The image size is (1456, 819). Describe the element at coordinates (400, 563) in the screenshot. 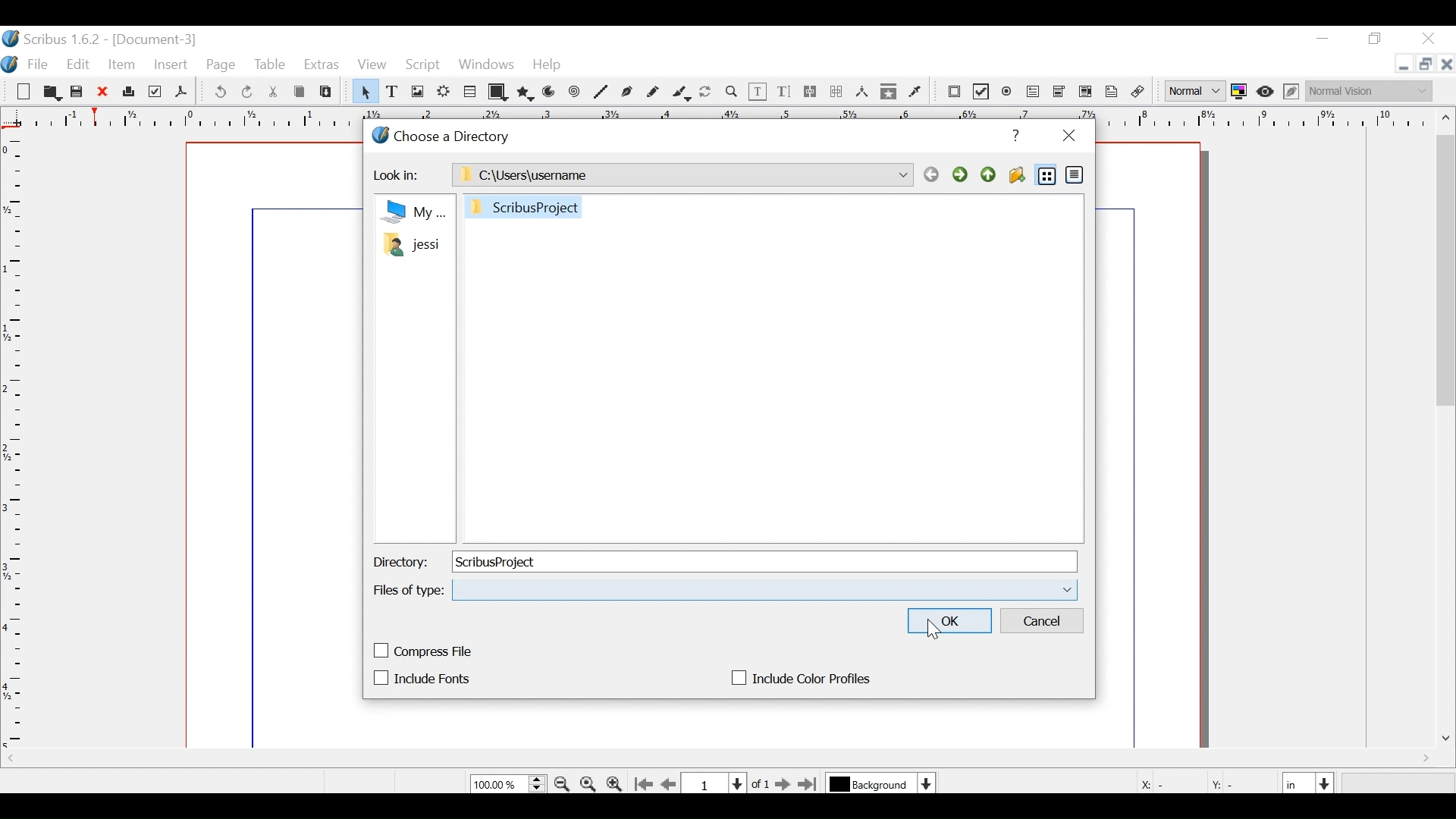

I see `Directory` at that location.